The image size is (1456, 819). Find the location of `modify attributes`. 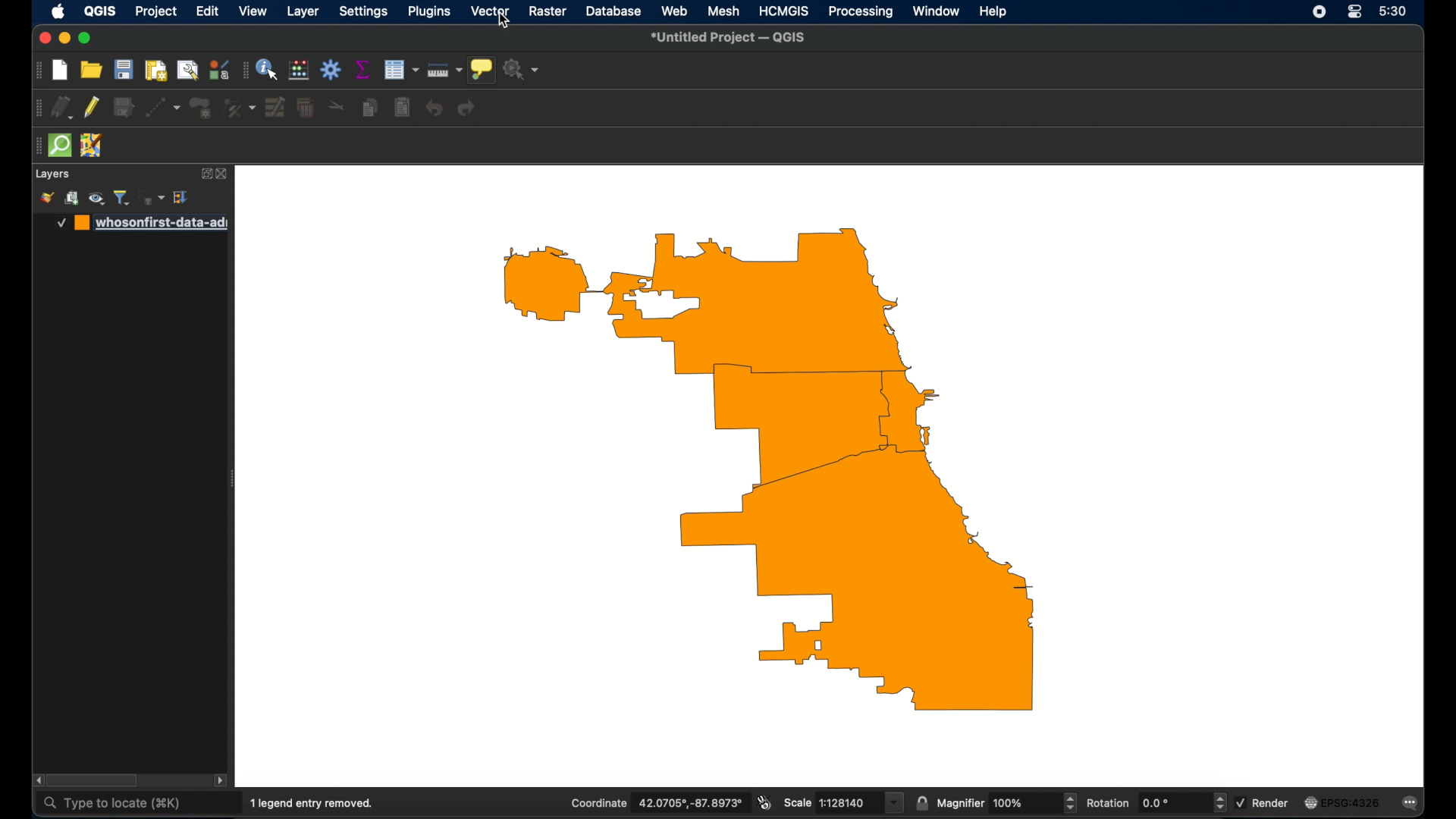

modify attributes is located at coordinates (275, 106).